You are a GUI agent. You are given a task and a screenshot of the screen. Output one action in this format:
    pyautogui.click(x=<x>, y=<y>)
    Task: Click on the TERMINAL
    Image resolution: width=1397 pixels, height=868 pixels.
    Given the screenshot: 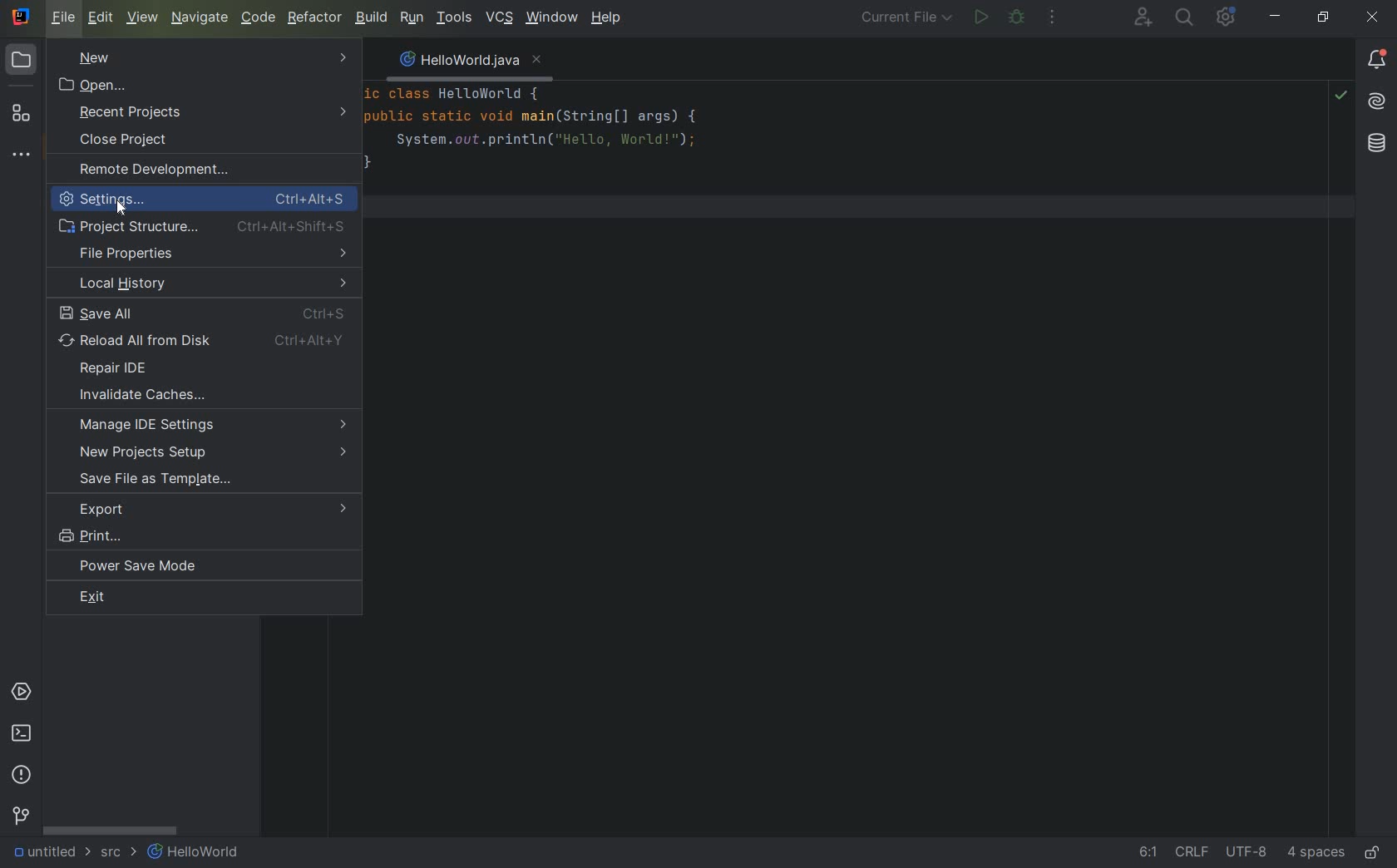 What is the action you would take?
    pyautogui.click(x=22, y=736)
    